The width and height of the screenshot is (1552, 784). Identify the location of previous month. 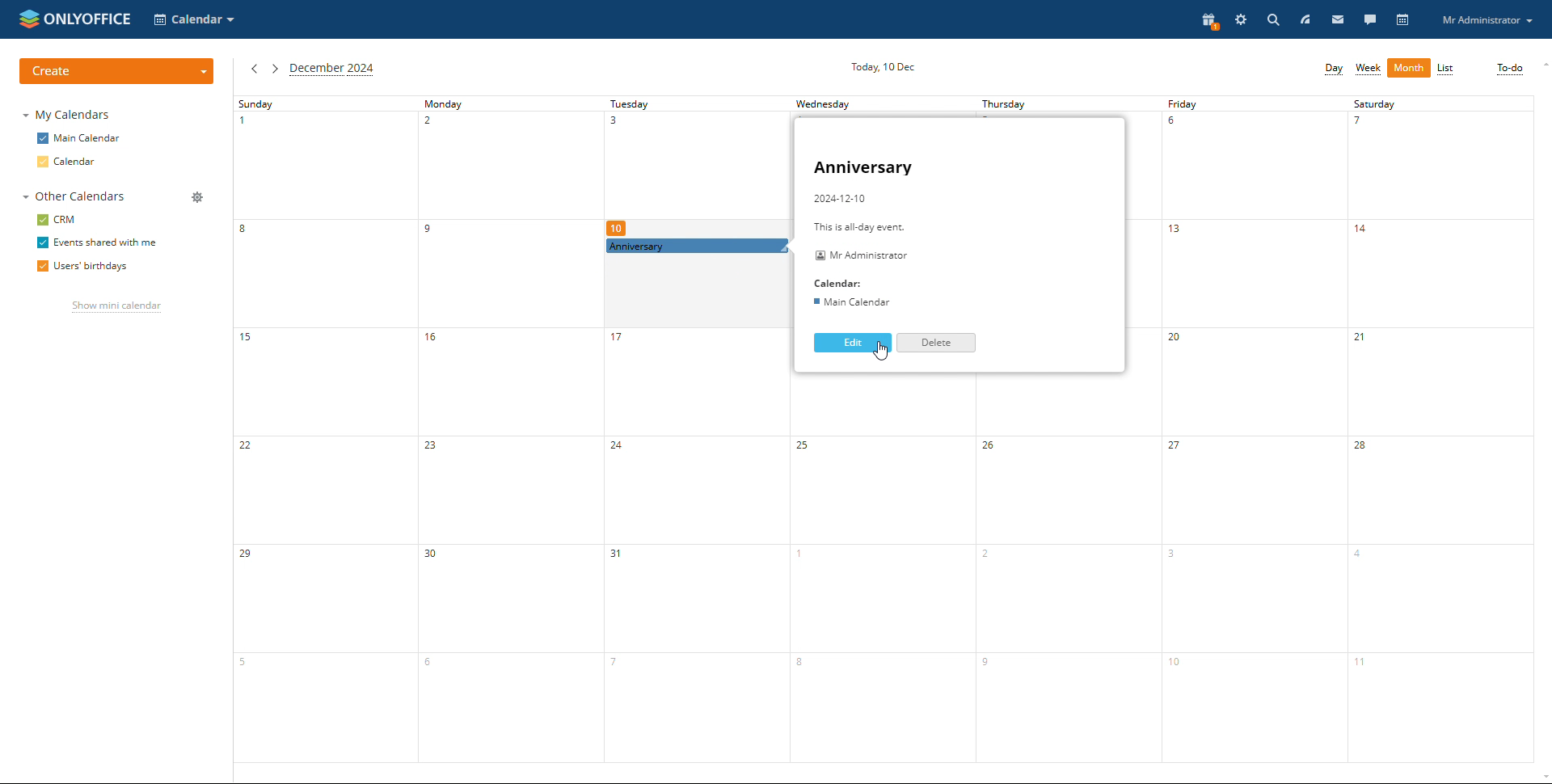
(254, 69).